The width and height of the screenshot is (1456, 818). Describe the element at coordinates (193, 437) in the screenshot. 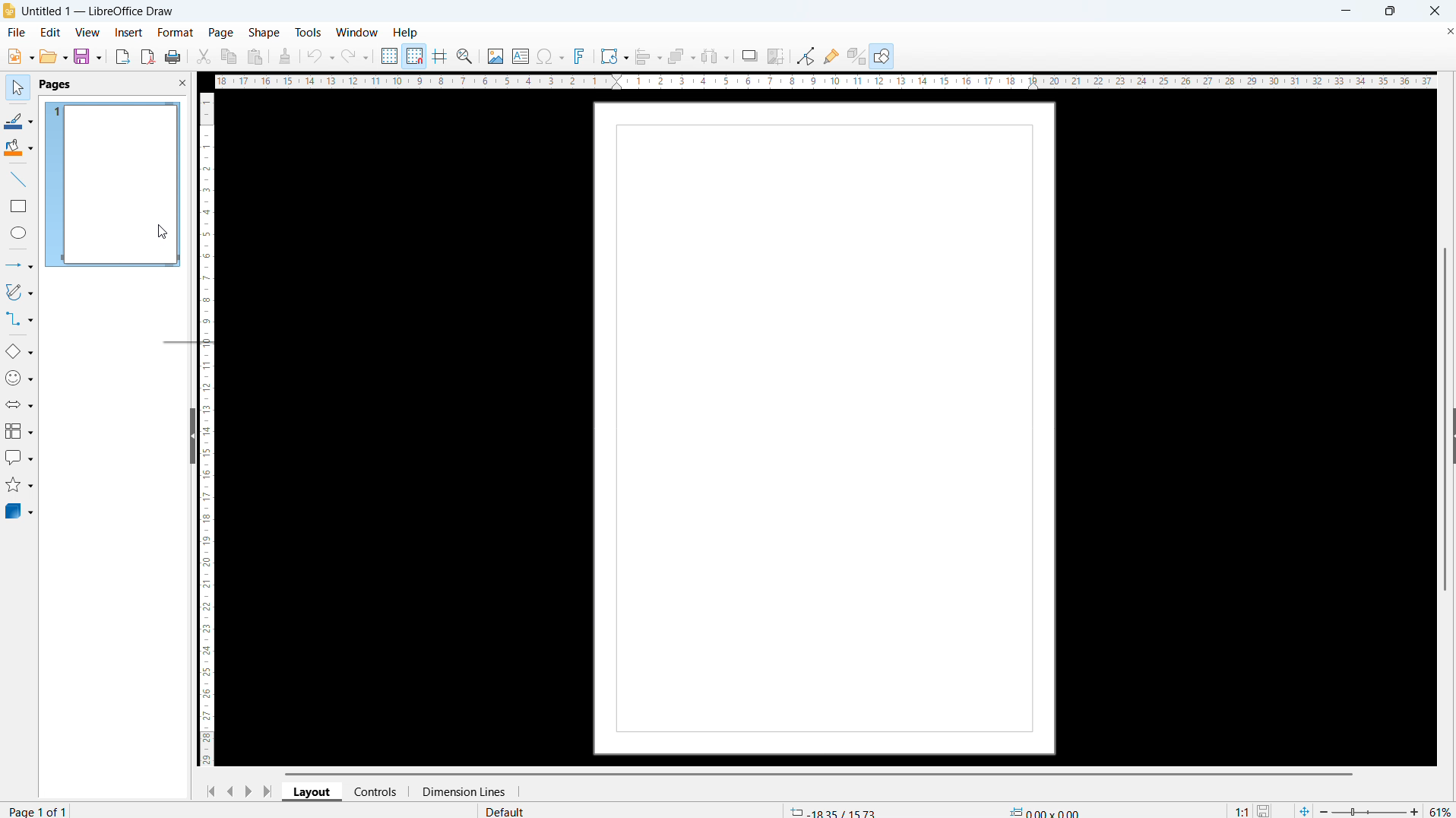

I see `hide pane` at that location.